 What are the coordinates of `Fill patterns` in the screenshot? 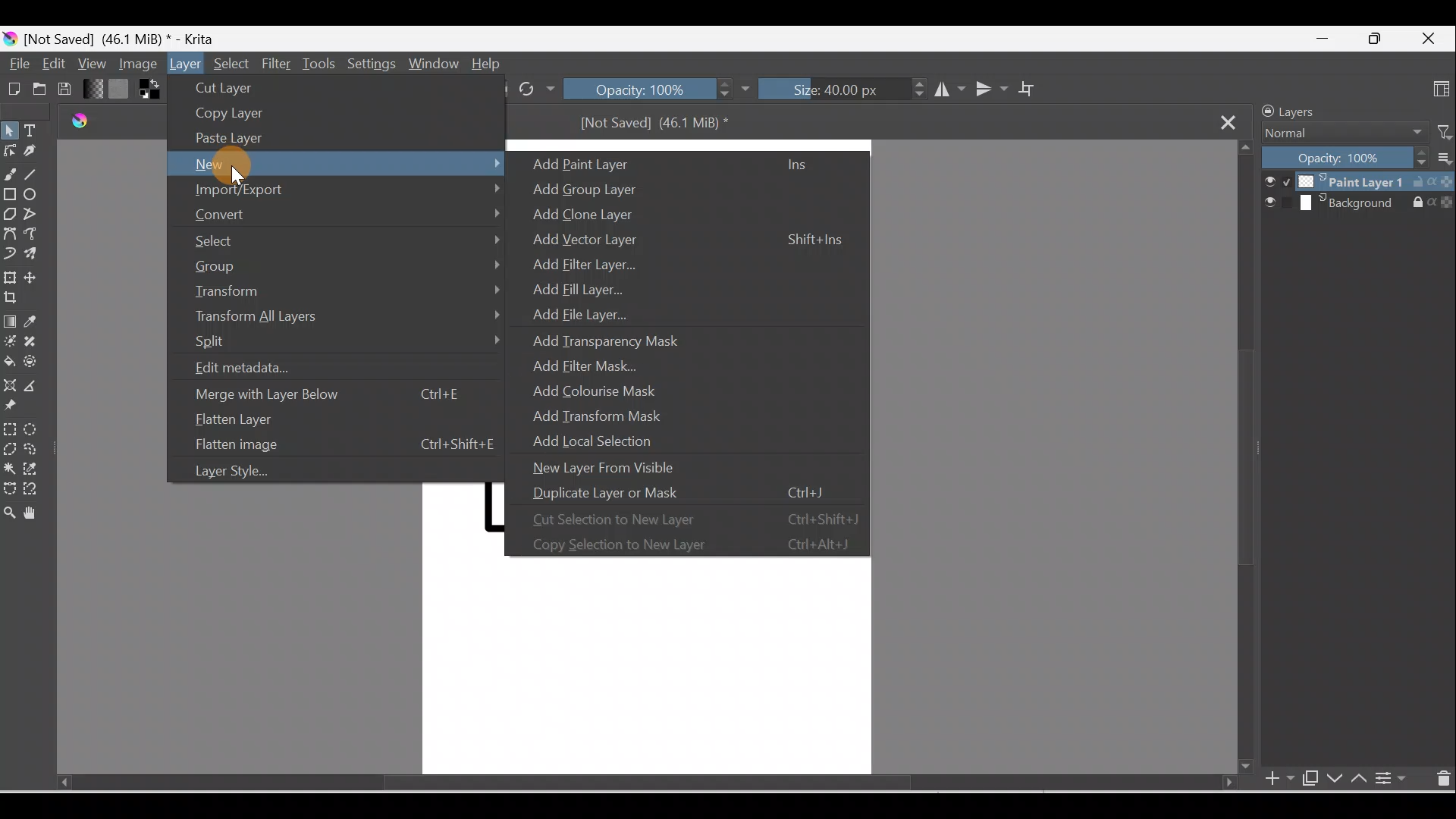 It's located at (122, 91).